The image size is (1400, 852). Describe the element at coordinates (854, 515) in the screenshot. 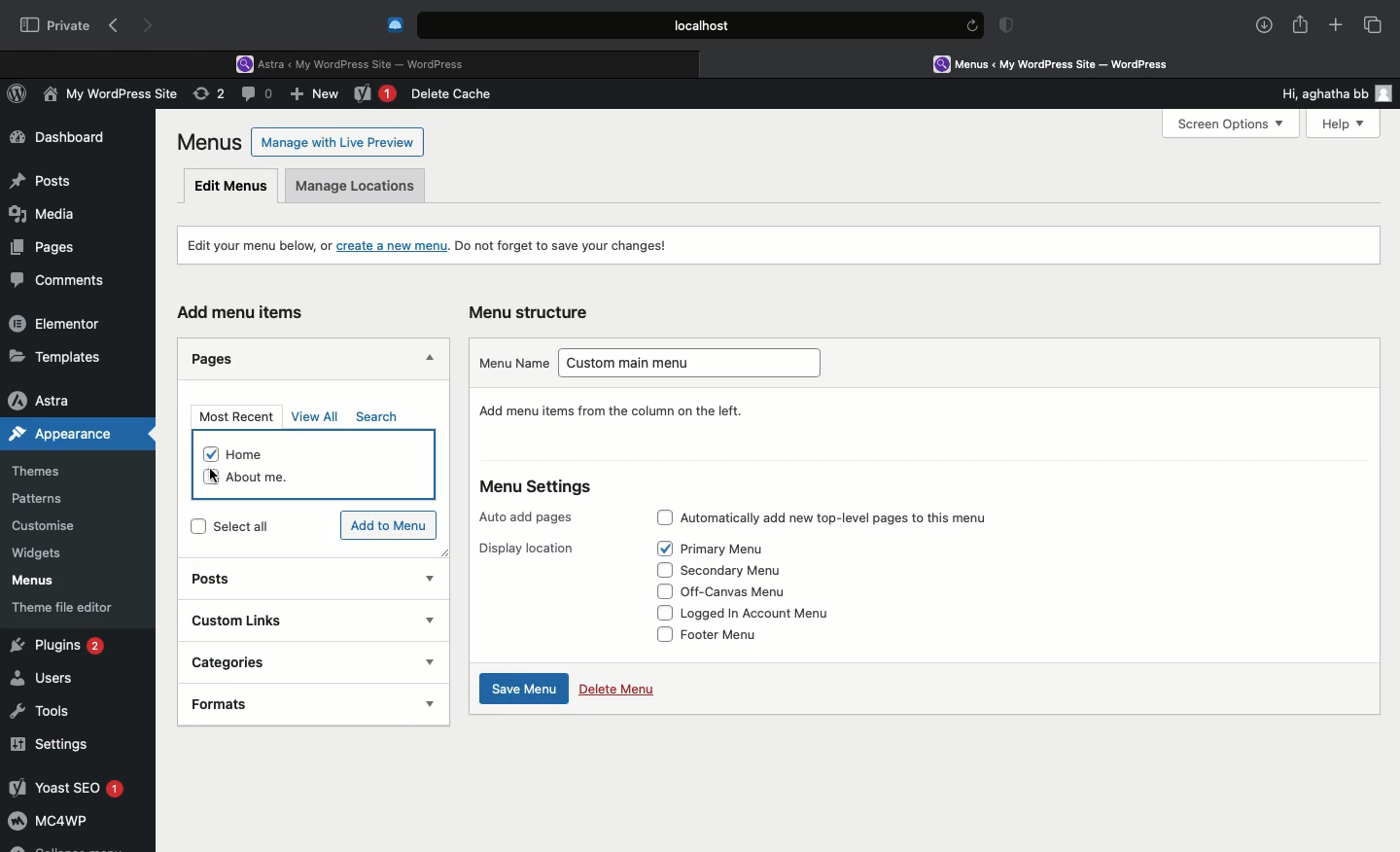

I see `Automatically add new top-level pages to this menu` at that location.